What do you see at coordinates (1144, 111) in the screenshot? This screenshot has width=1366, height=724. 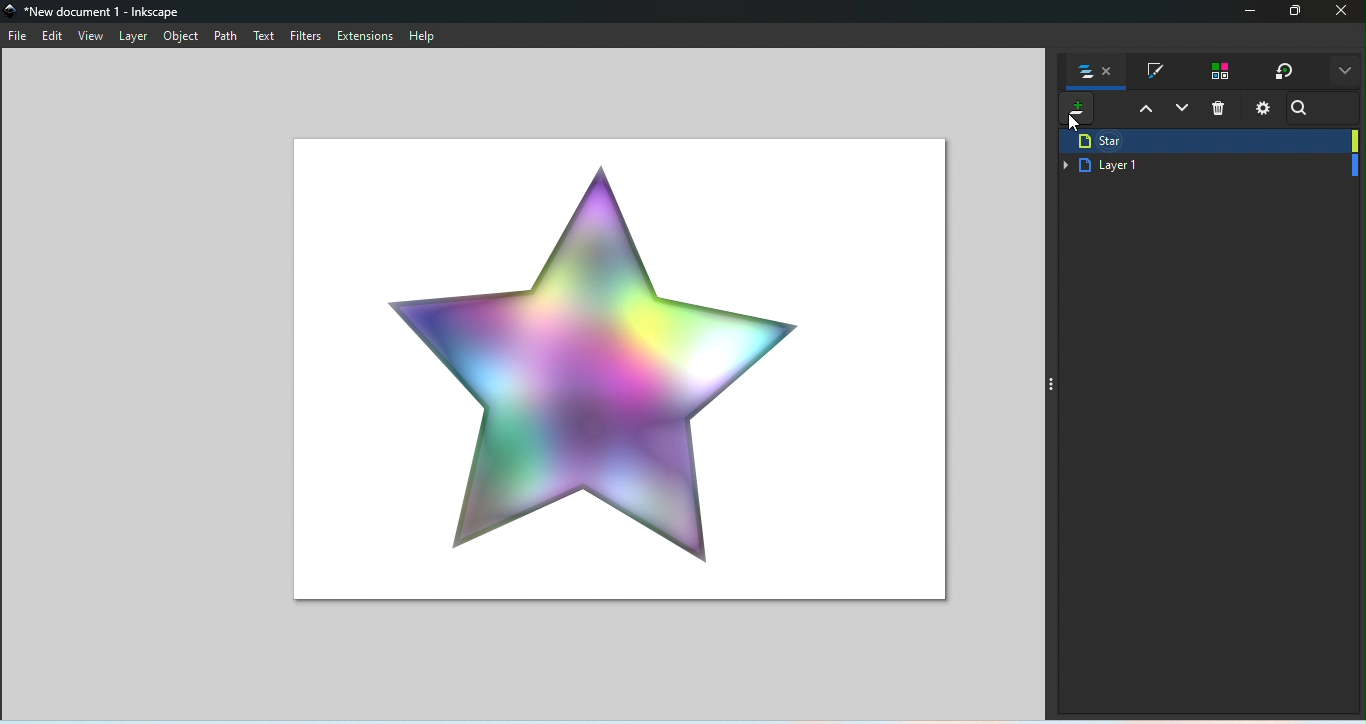 I see `Raise selection one layer` at bounding box center [1144, 111].